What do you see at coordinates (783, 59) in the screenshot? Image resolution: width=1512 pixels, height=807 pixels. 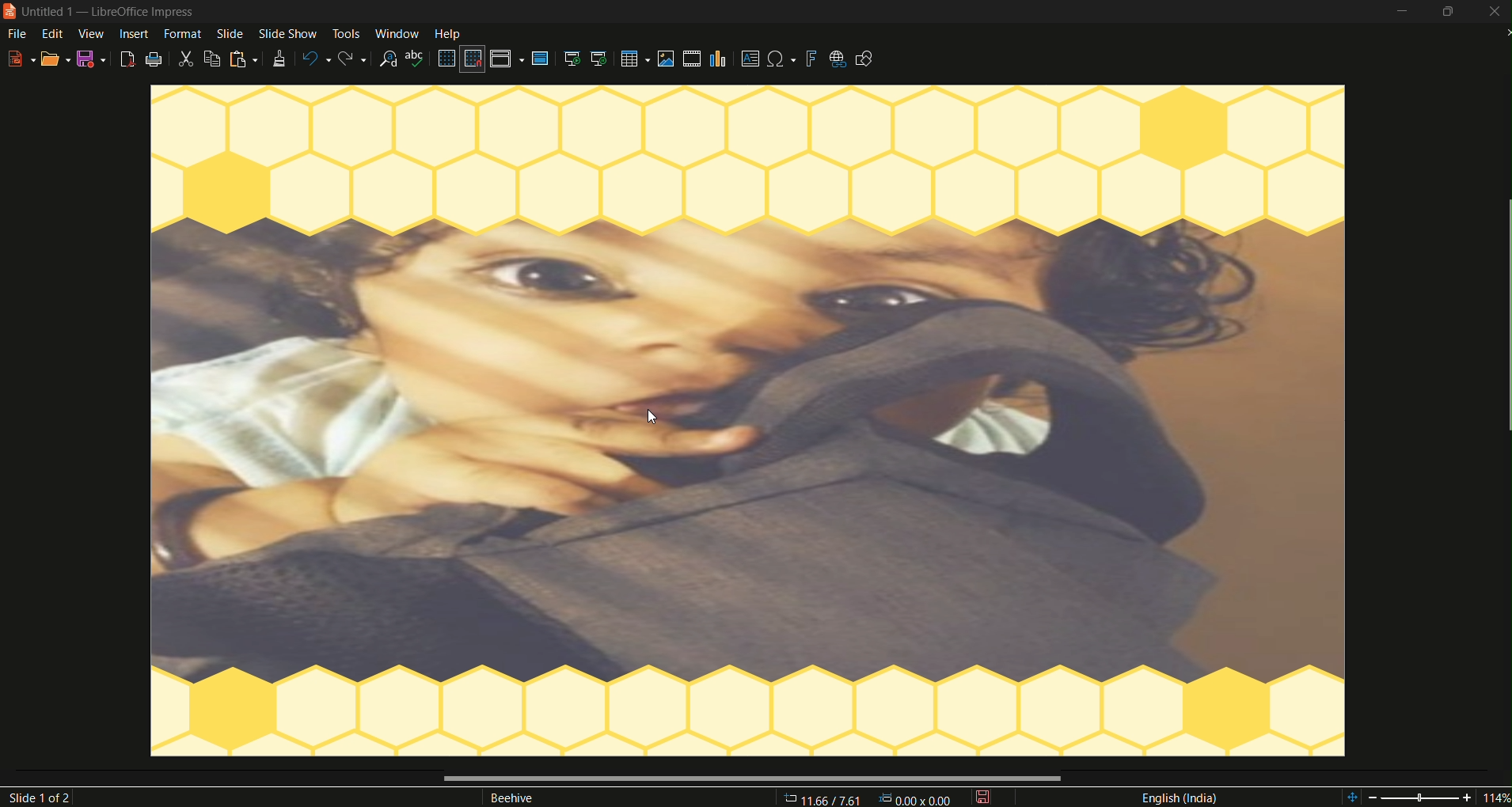 I see `insert special character` at bounding box center [783, 59].